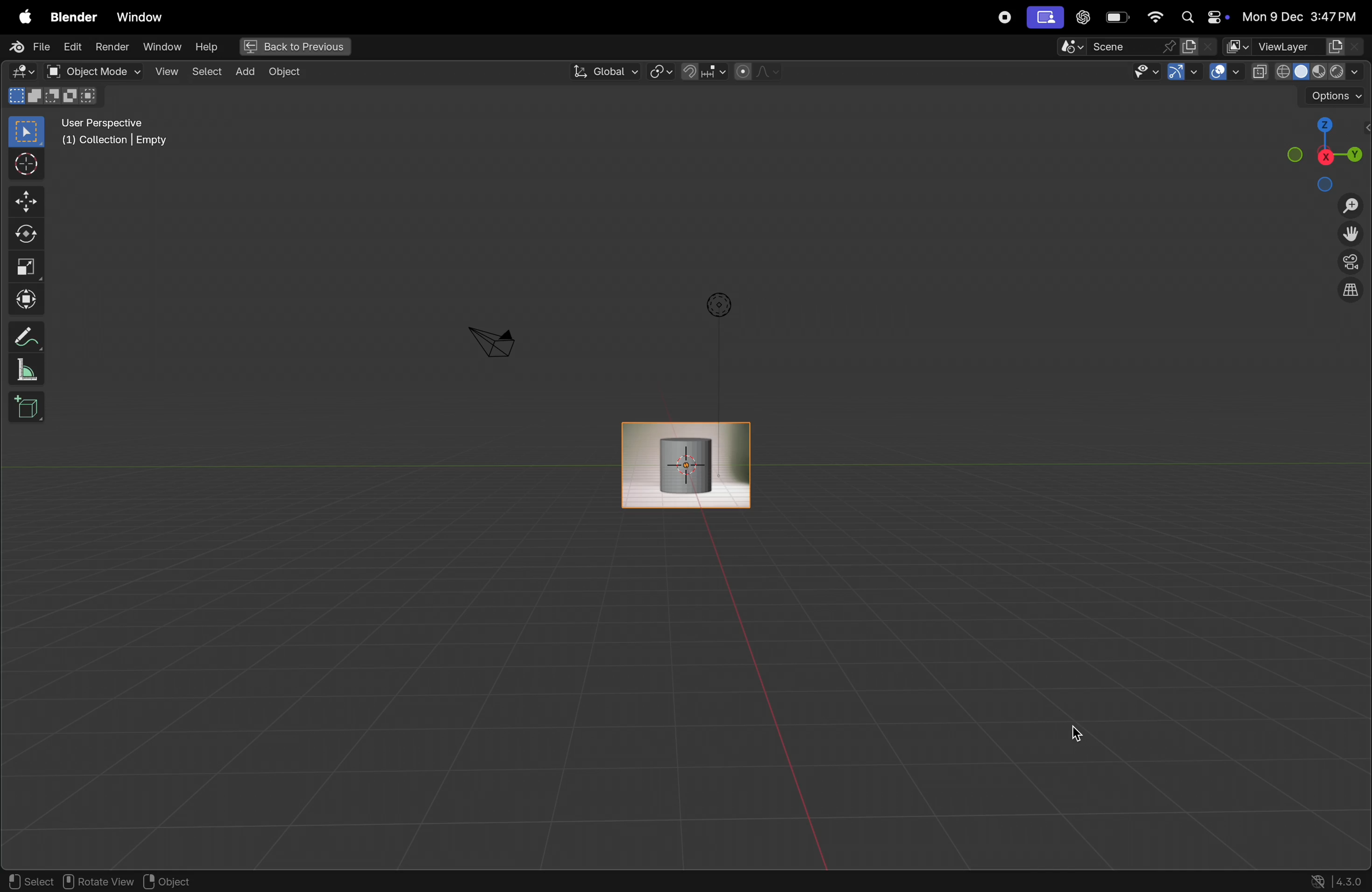 This screenshot has height=892, width=1372. Describe the element at coordinates (756, 72) in the screenshot. I see `proportional fall off` at that location.